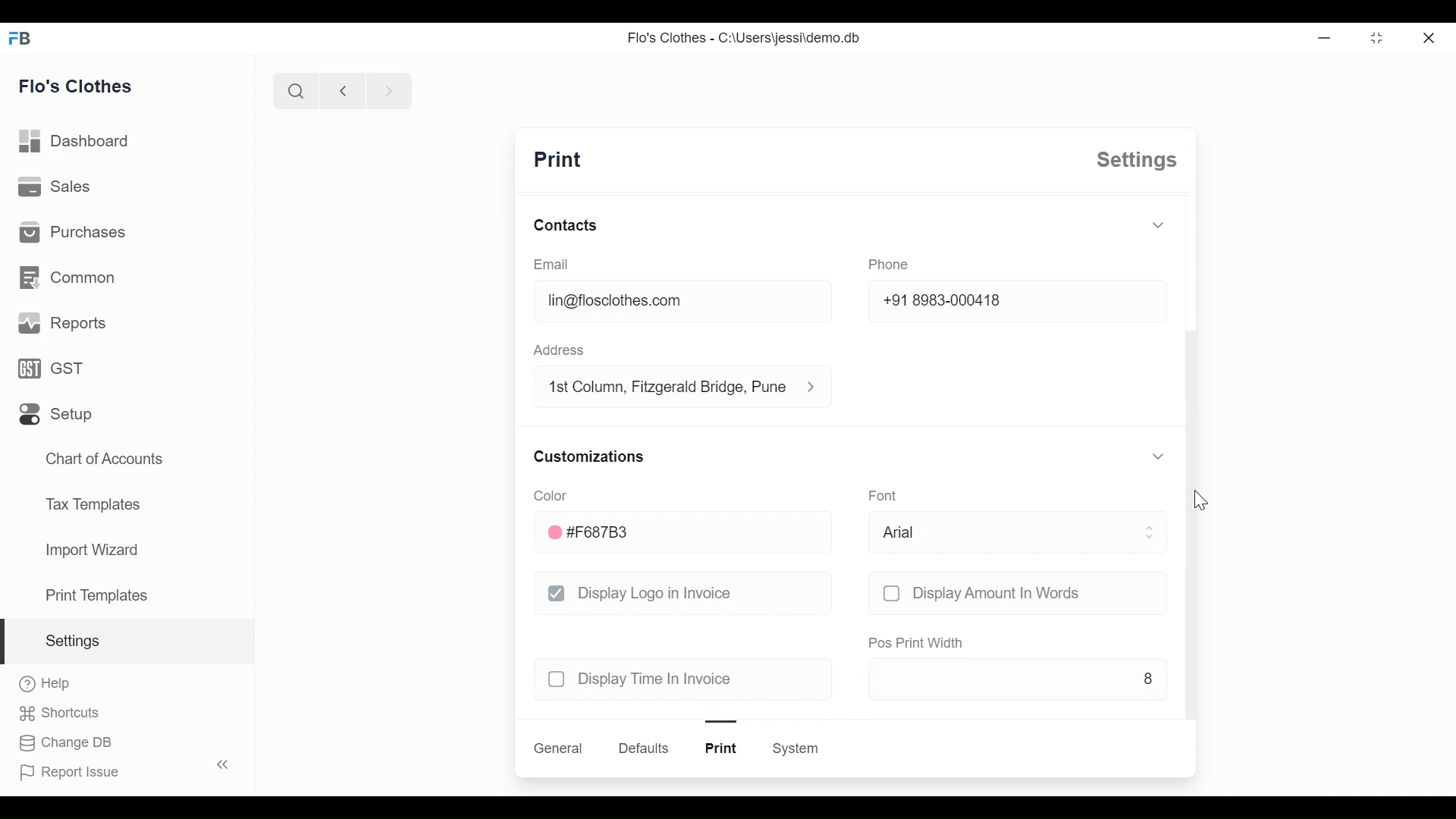 The height and width of the screenshot is (819, 1456). Describe the element at coordinates (1428, 37) in the screenshot. I see `close` at that location.